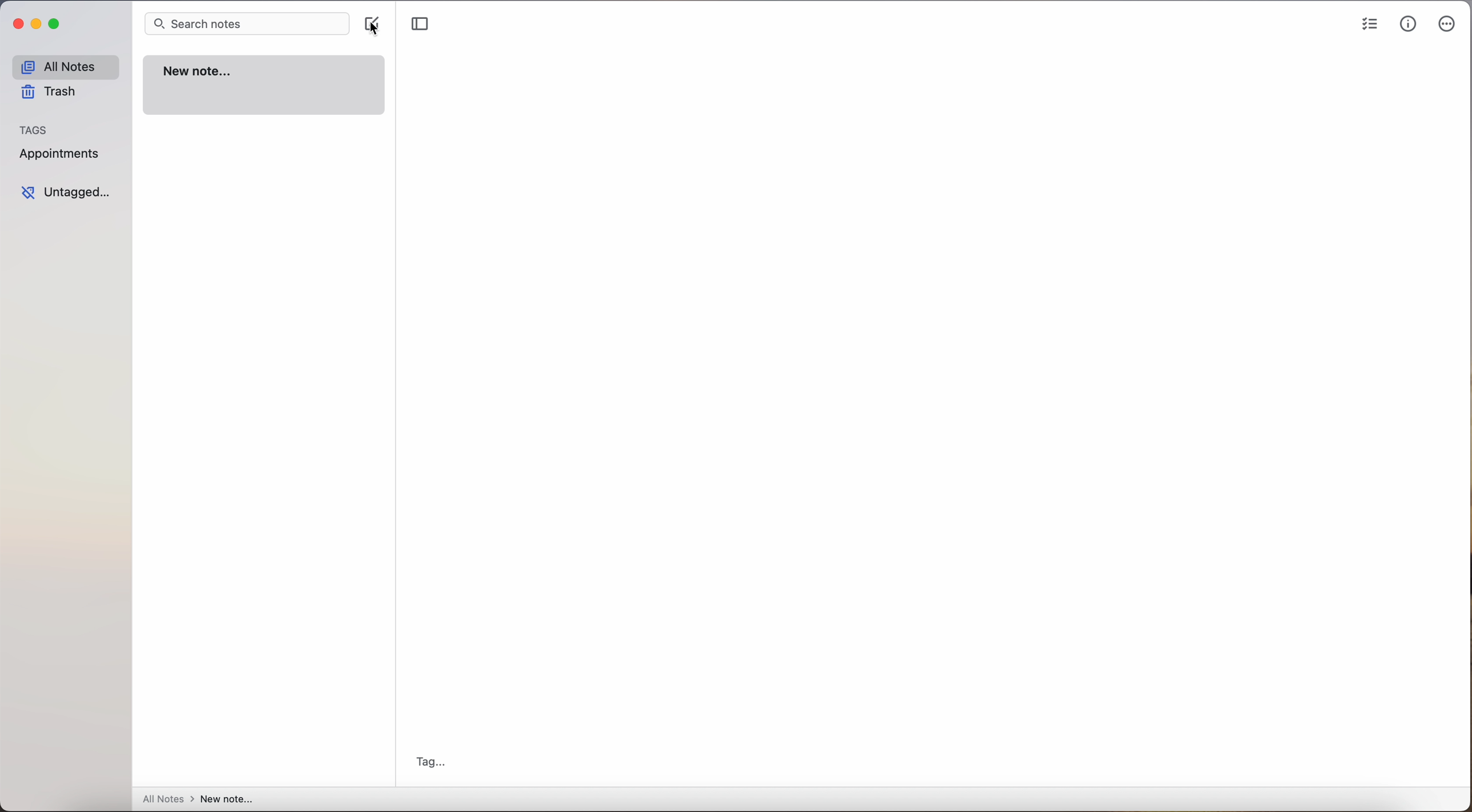  Describe the element at coordinates (1449, 25) in the screenshot. I see `more options` at that location.